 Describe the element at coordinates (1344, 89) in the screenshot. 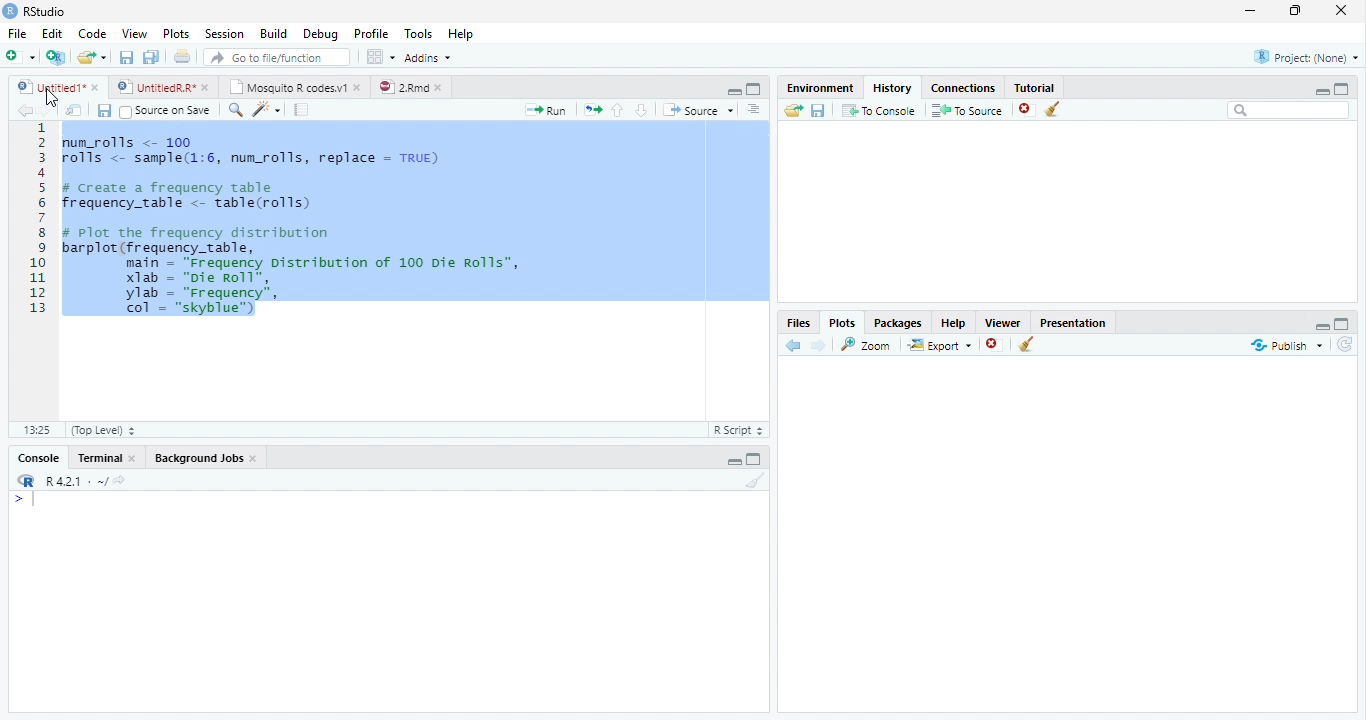

I see `Full Height` at that location.